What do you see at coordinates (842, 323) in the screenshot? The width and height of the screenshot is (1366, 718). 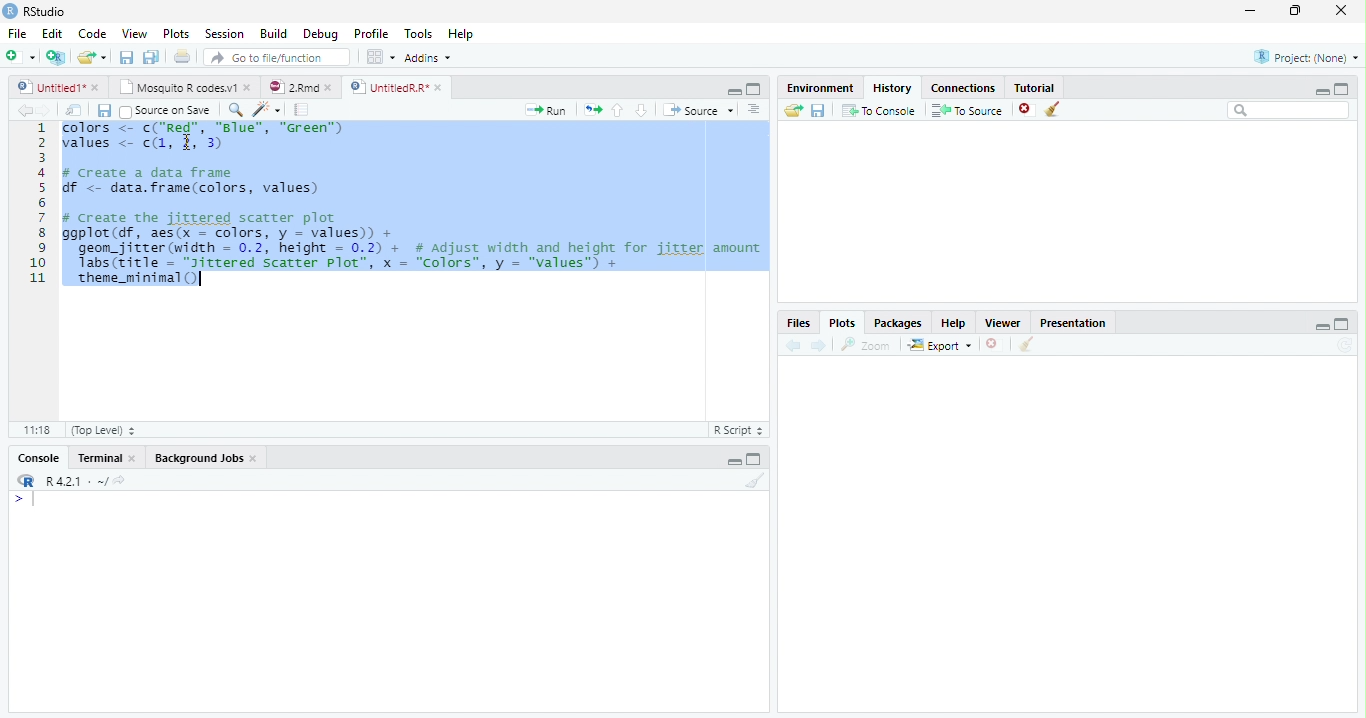 I see `Plots` at bounding box center [842, 323].